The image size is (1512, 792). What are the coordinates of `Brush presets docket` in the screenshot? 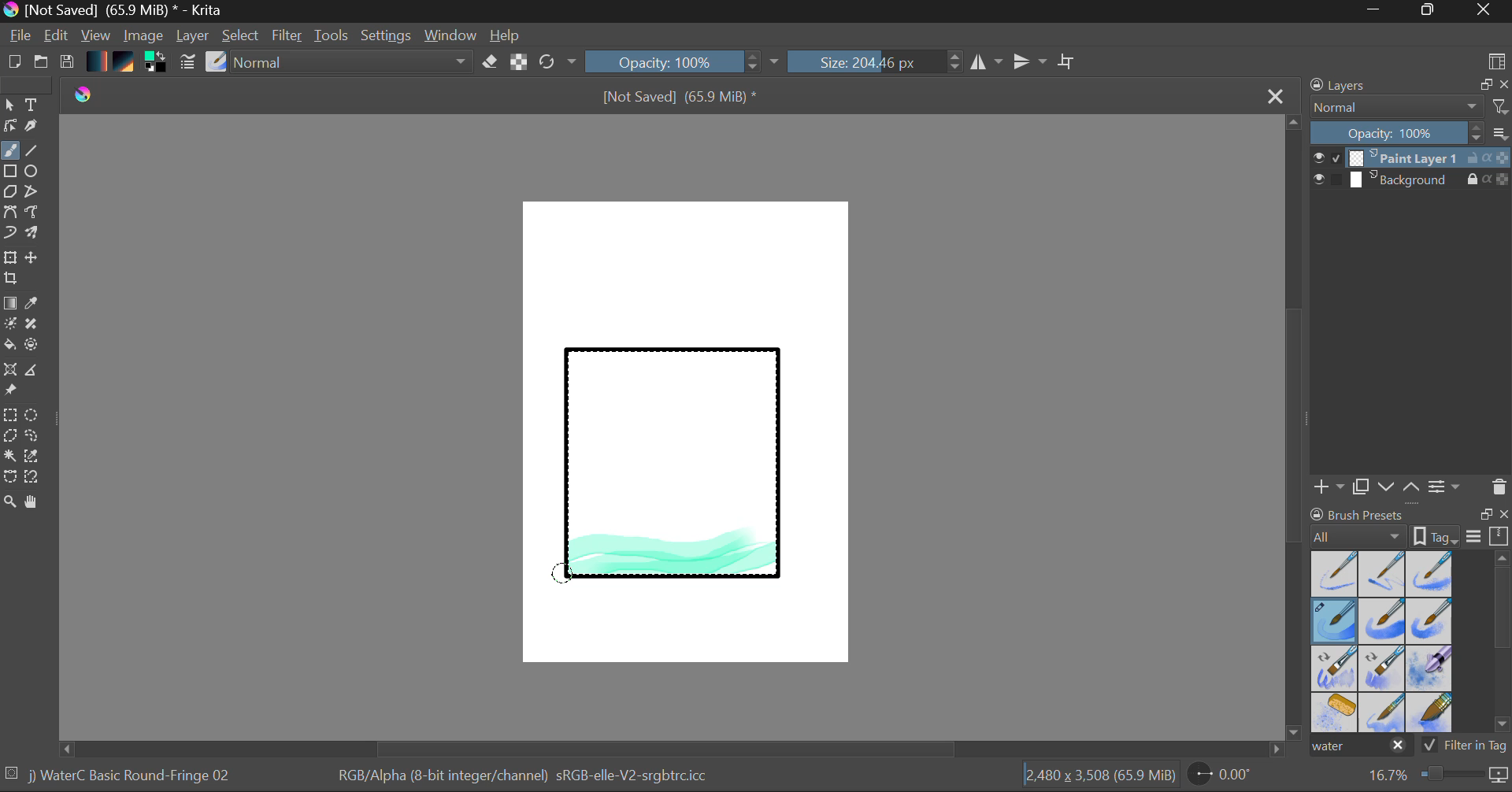 It's located at (1410, 525).